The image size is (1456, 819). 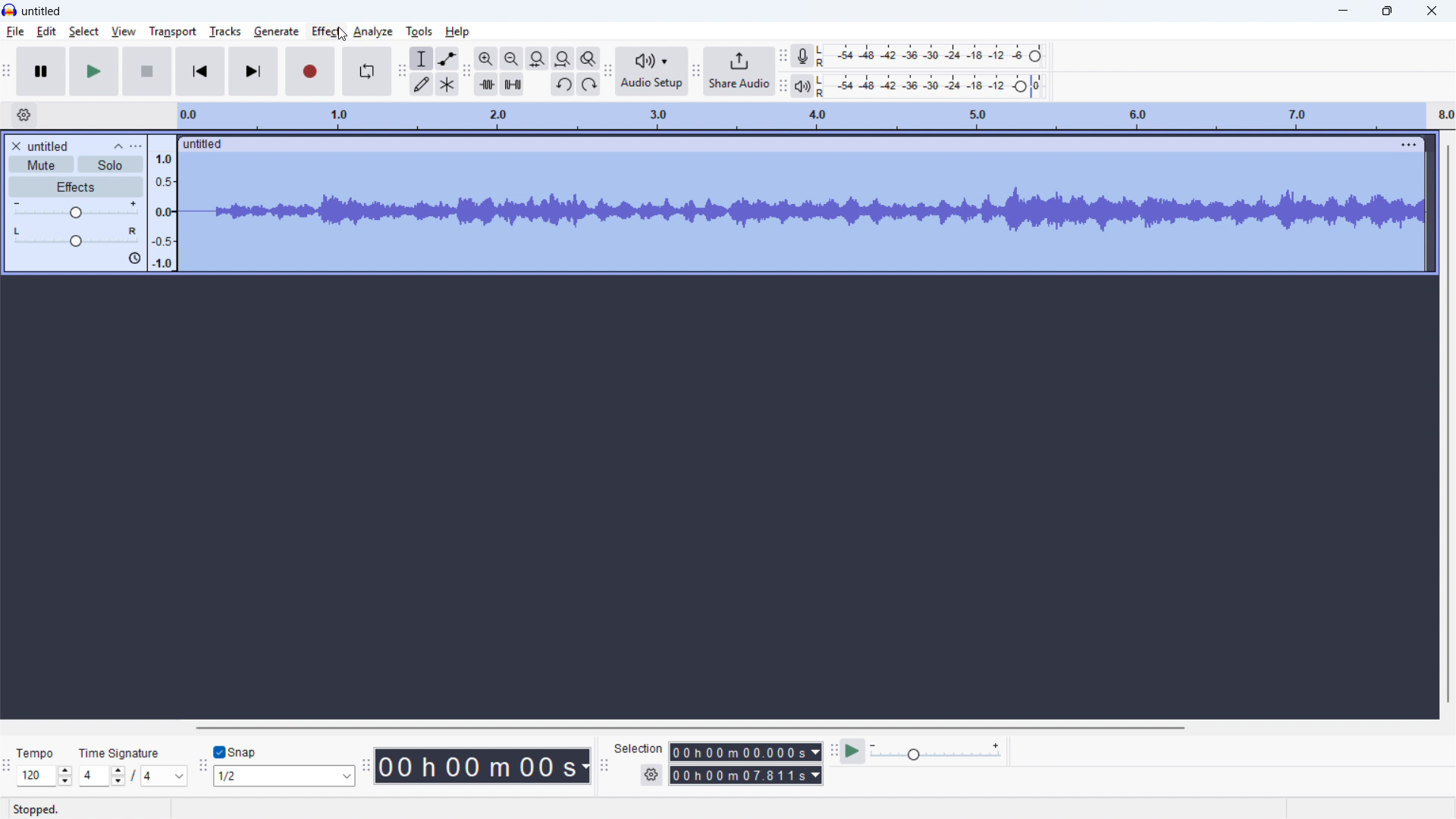 What do you see at coordinates (367, 767) in the screenshot?
I see `Time toolbar ` at bounding box center [367, 767].